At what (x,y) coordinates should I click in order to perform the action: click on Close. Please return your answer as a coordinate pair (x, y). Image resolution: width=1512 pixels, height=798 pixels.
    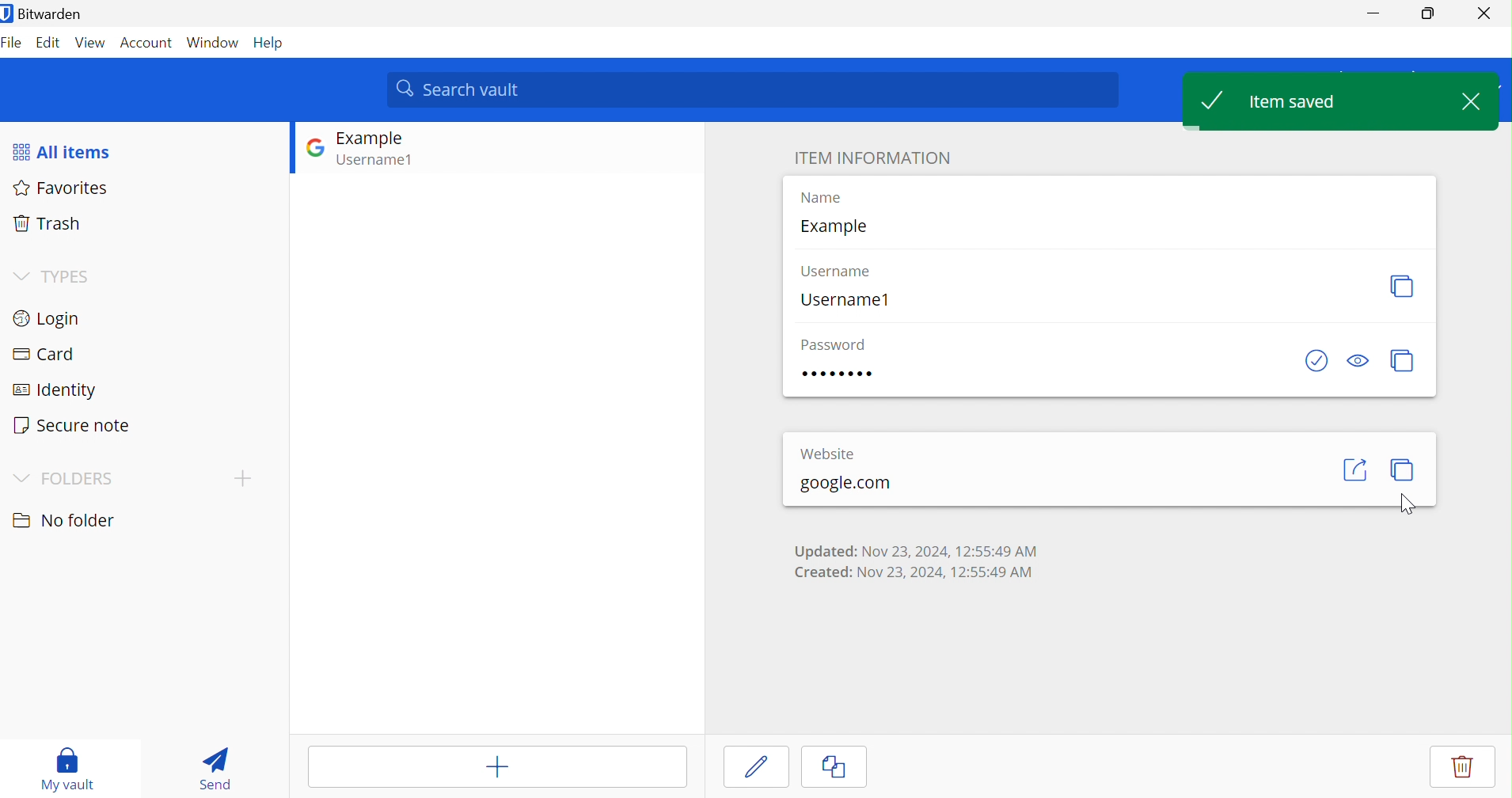
    Looking at the image, I should click on (1484, 11).